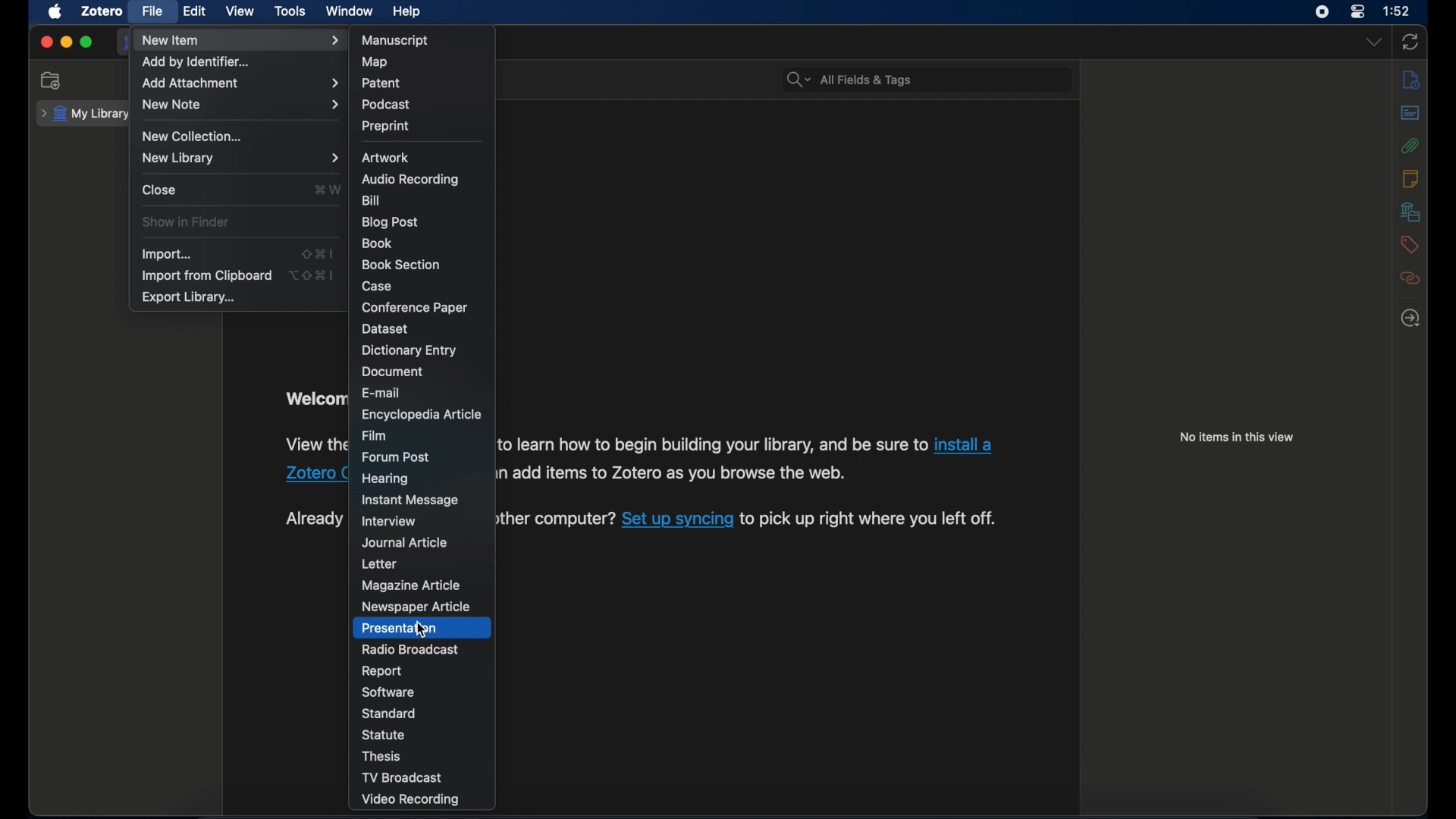  Describe the element at coordinates (410, 350) in the screenshot. I see `dictionary entry` at that location.